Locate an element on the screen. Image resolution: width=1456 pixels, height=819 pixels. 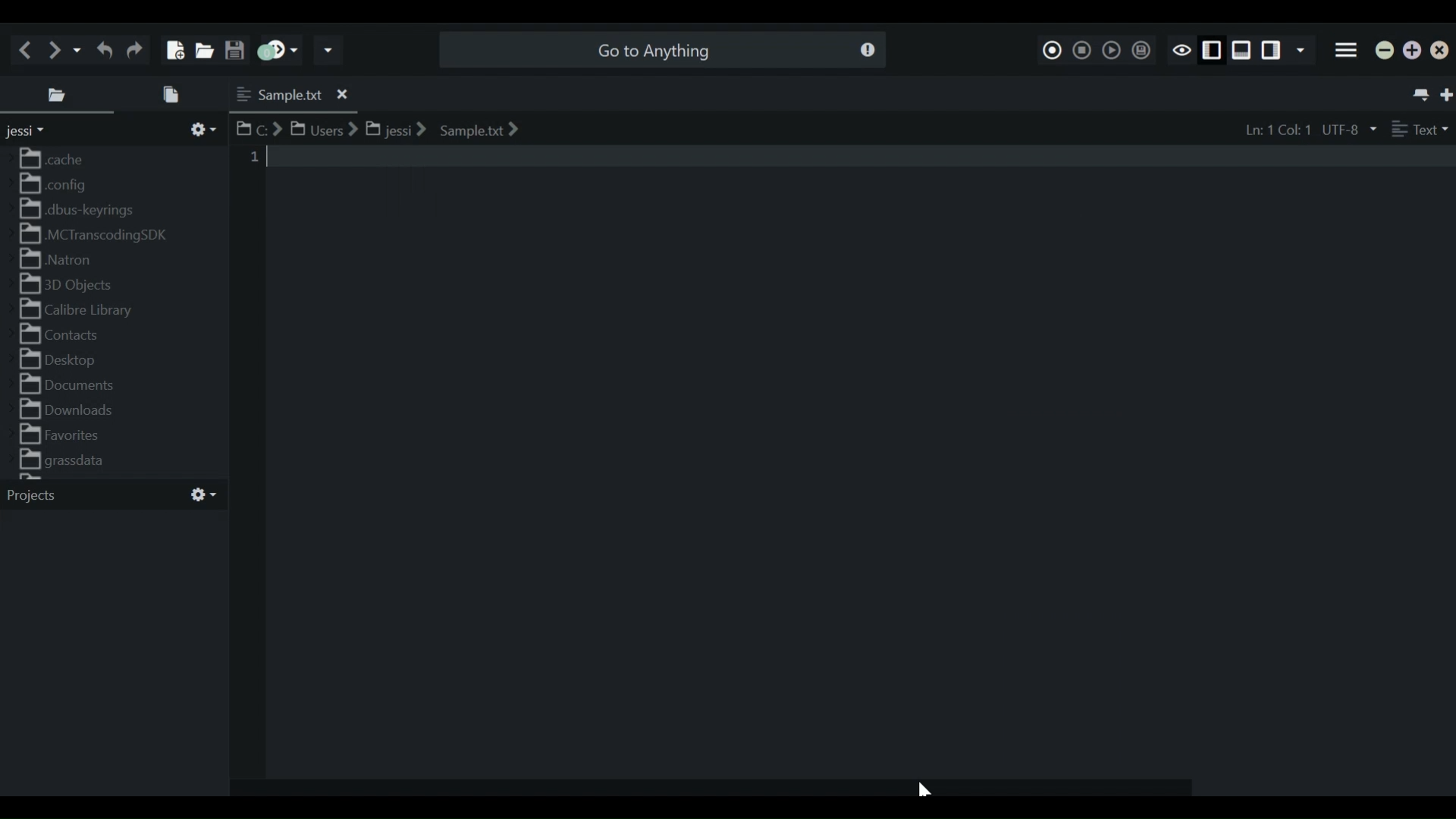
Show/Hide Right pane is located at coordinates (1209, 49).